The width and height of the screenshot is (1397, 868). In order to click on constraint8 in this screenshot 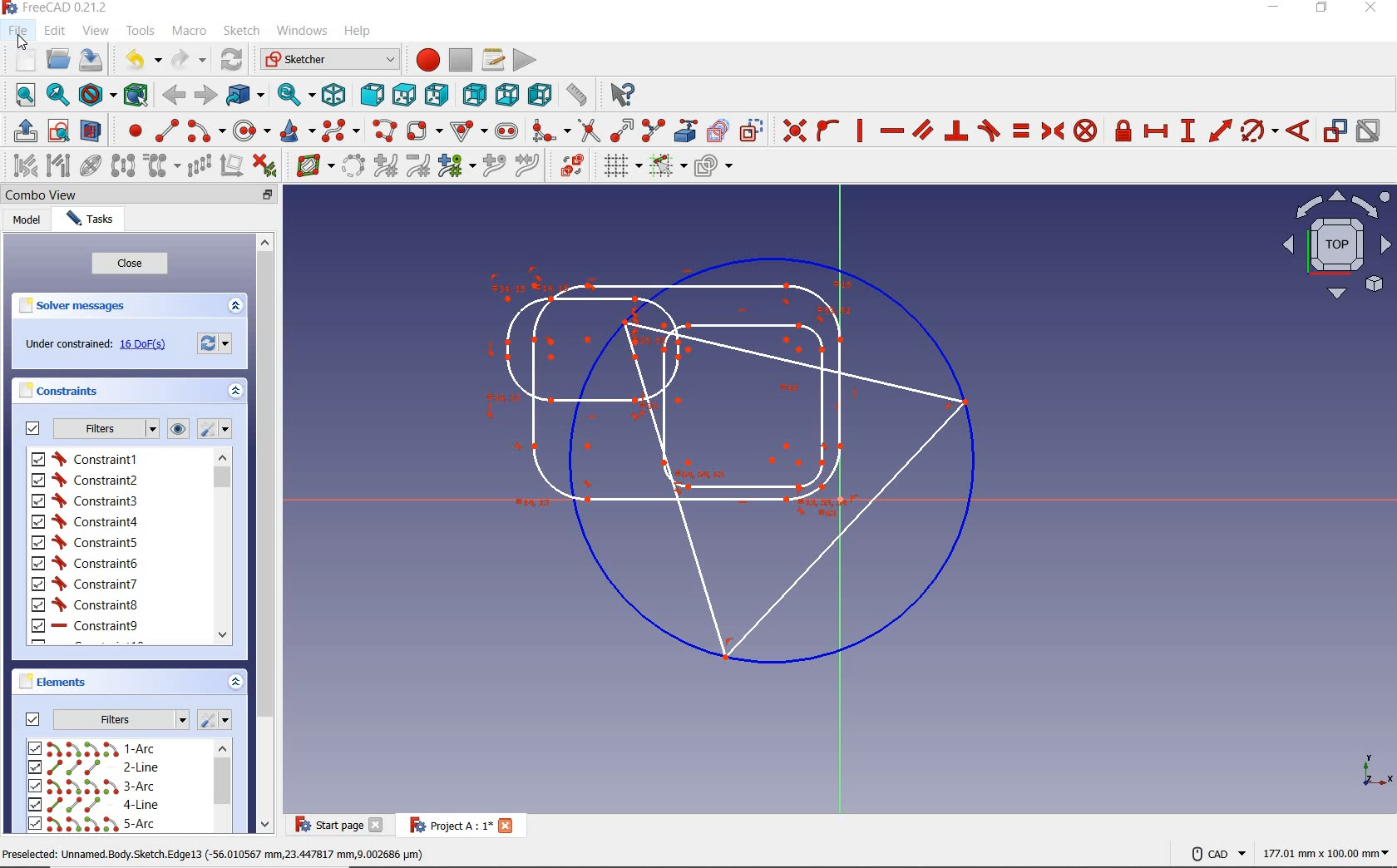, I will do `click(85, 605)`.